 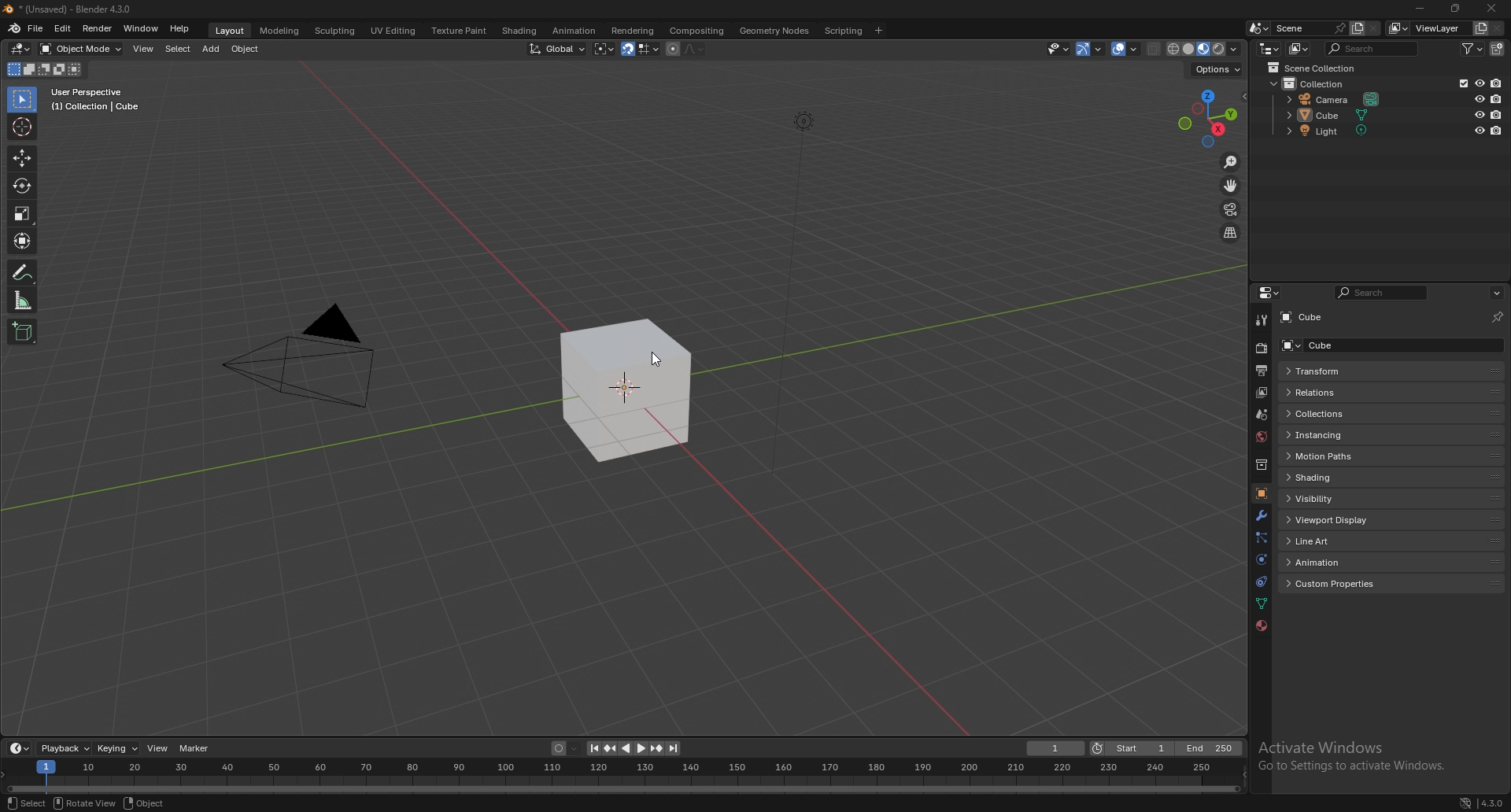 I want to click on end 250, so click(x=1210, y=748).